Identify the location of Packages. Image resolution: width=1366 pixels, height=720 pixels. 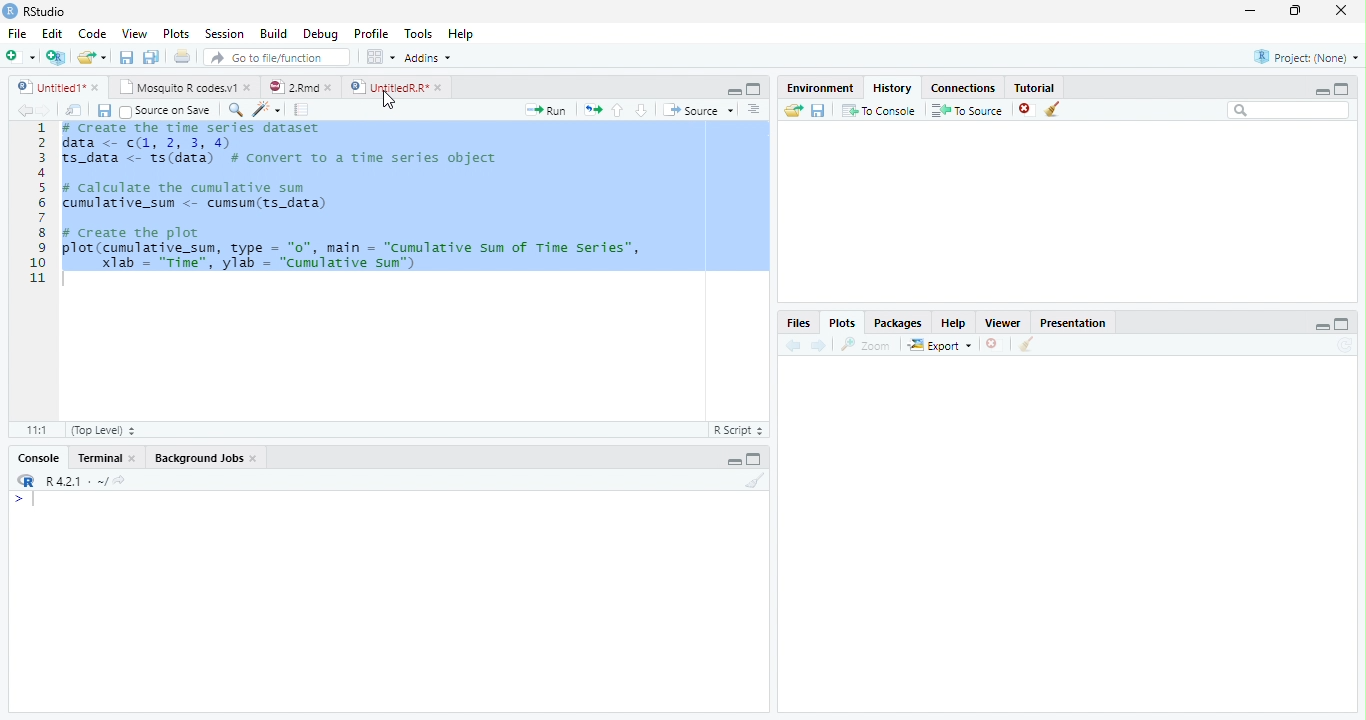
(896, 323).